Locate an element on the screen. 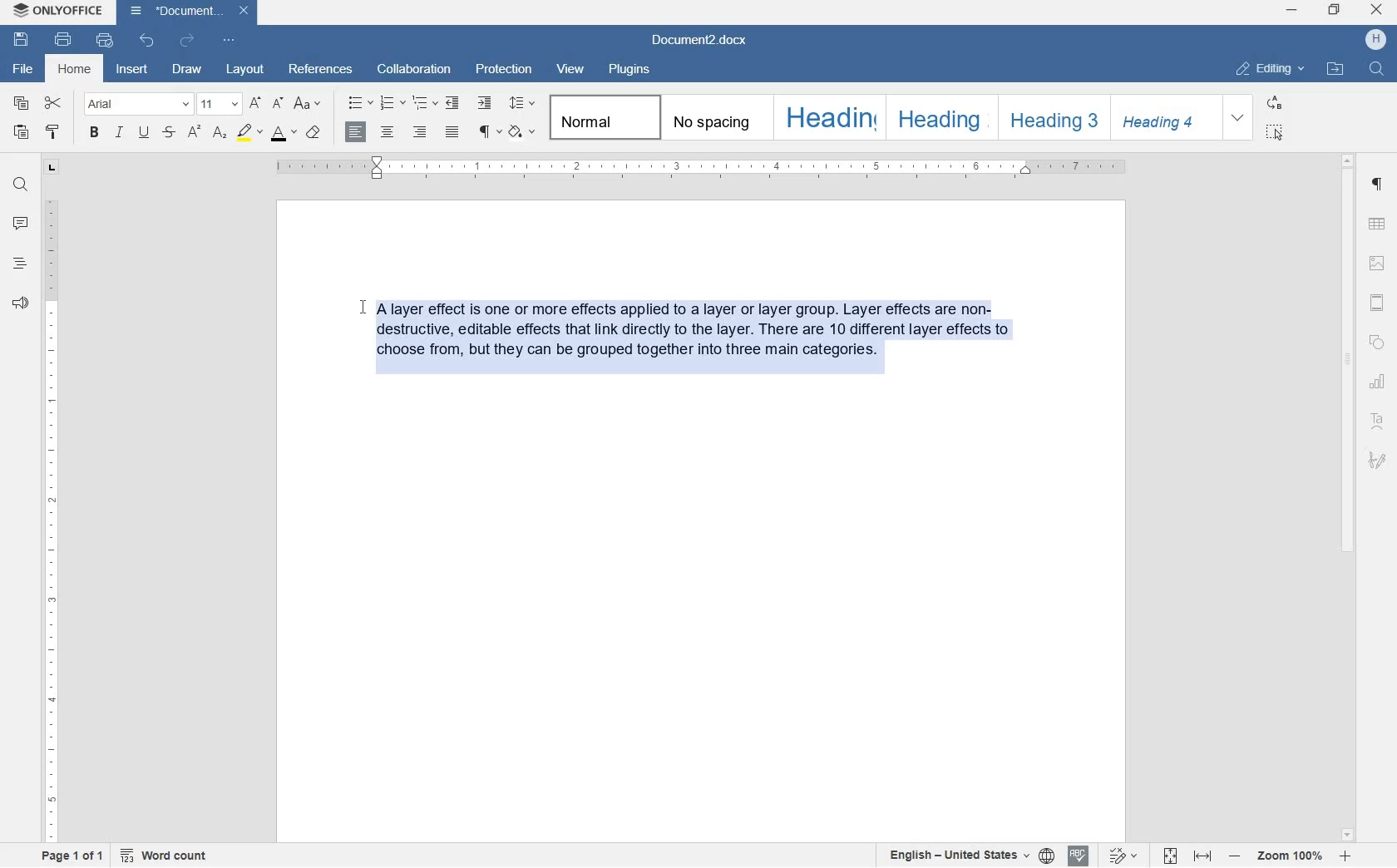  fit to page or to width is located at coordinates (1187, 856).